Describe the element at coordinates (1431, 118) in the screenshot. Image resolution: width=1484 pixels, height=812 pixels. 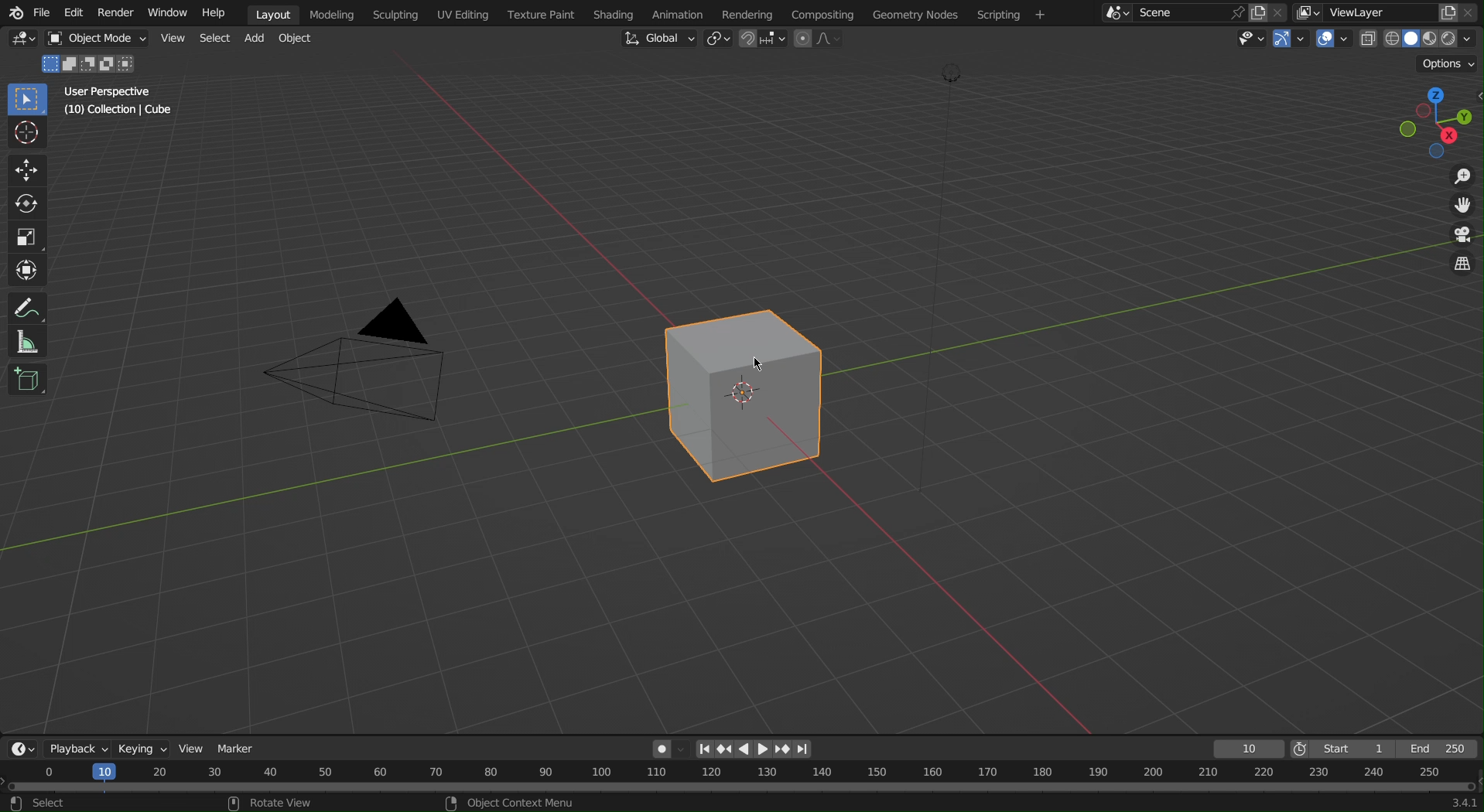
I see `Viewport` at that location.